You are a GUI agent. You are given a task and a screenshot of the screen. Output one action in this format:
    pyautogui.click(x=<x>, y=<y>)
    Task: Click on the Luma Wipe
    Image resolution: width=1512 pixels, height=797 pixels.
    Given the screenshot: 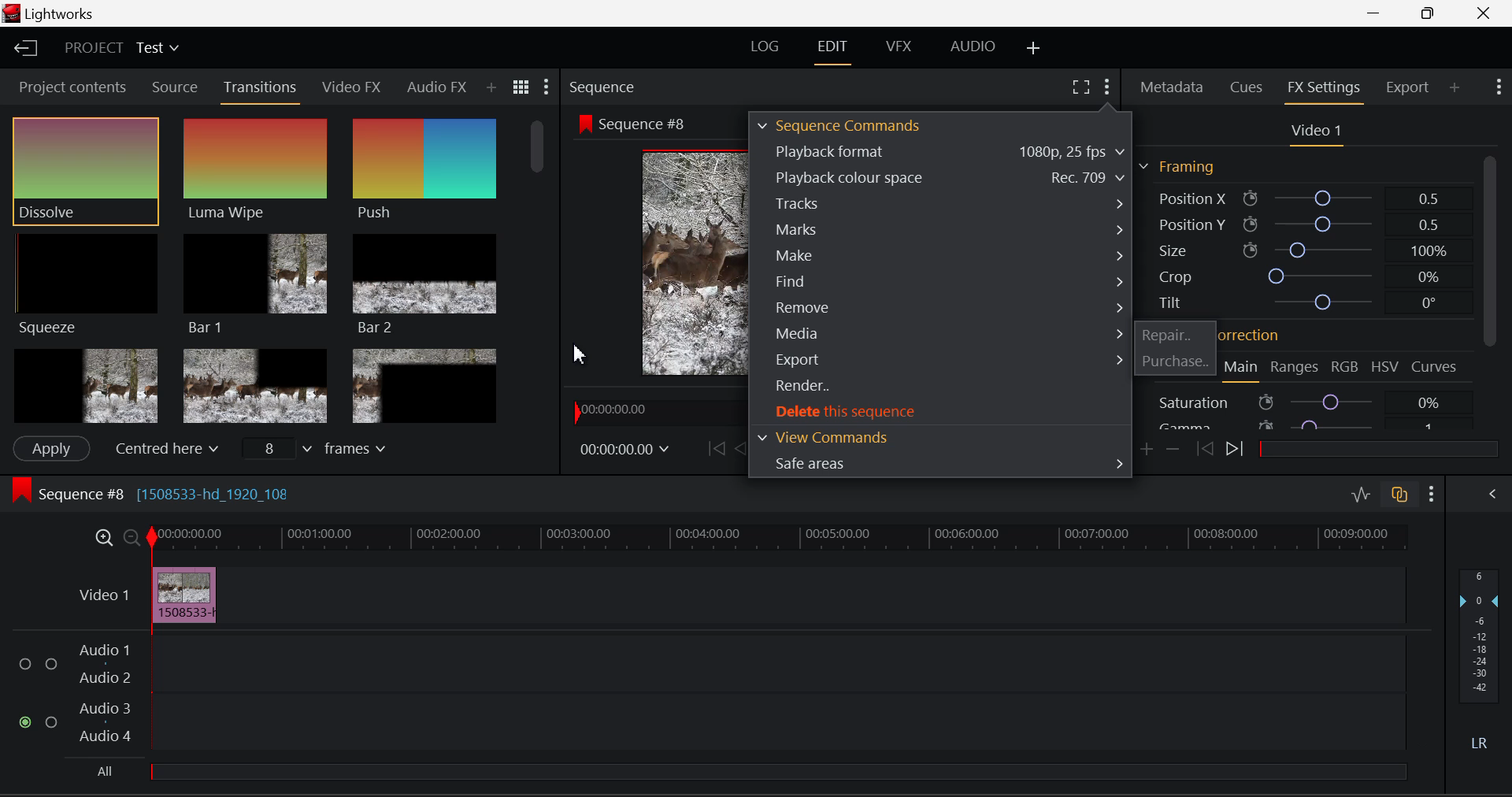 What is the action you would take?
    pyautogui.click(x=254, y=170)
    